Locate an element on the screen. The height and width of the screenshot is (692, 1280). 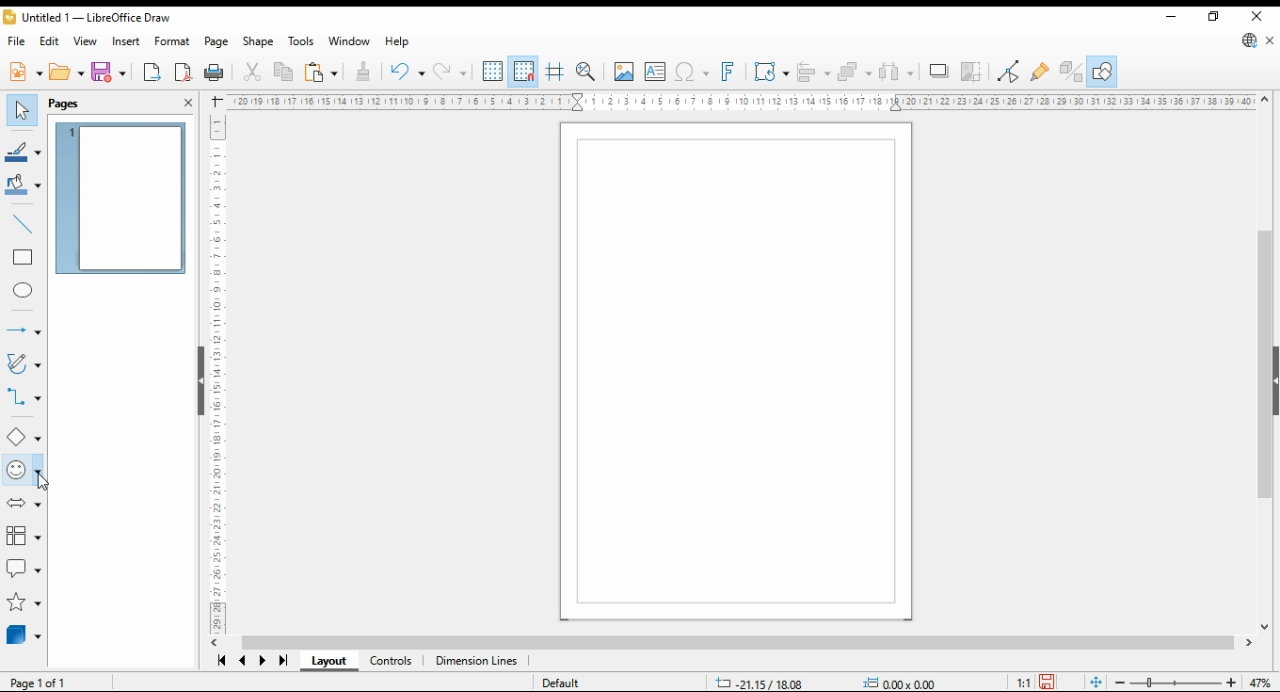
transformations is located at coordinates (771, 71).